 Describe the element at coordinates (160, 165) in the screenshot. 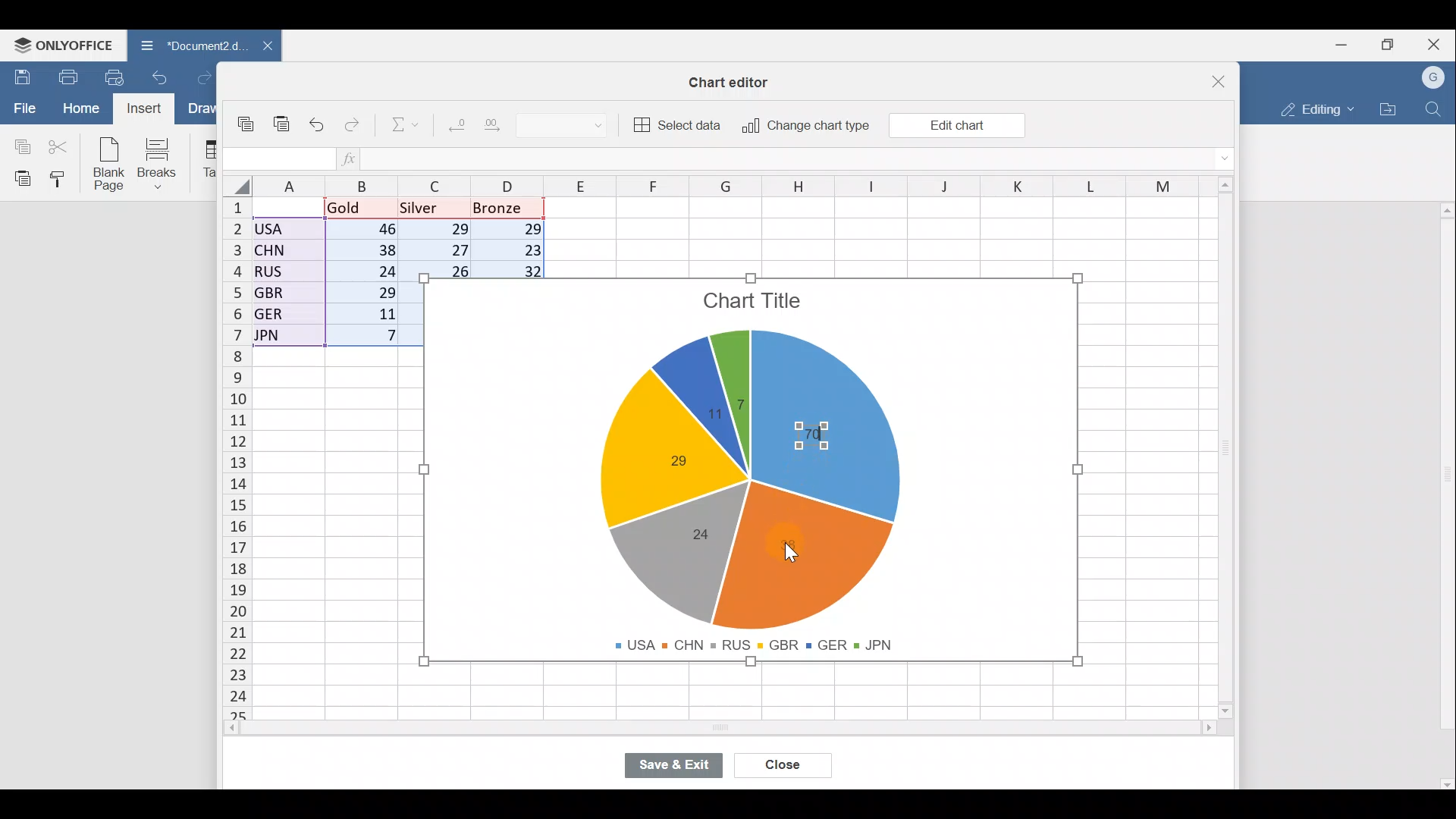

I see `Breaks` at that location.